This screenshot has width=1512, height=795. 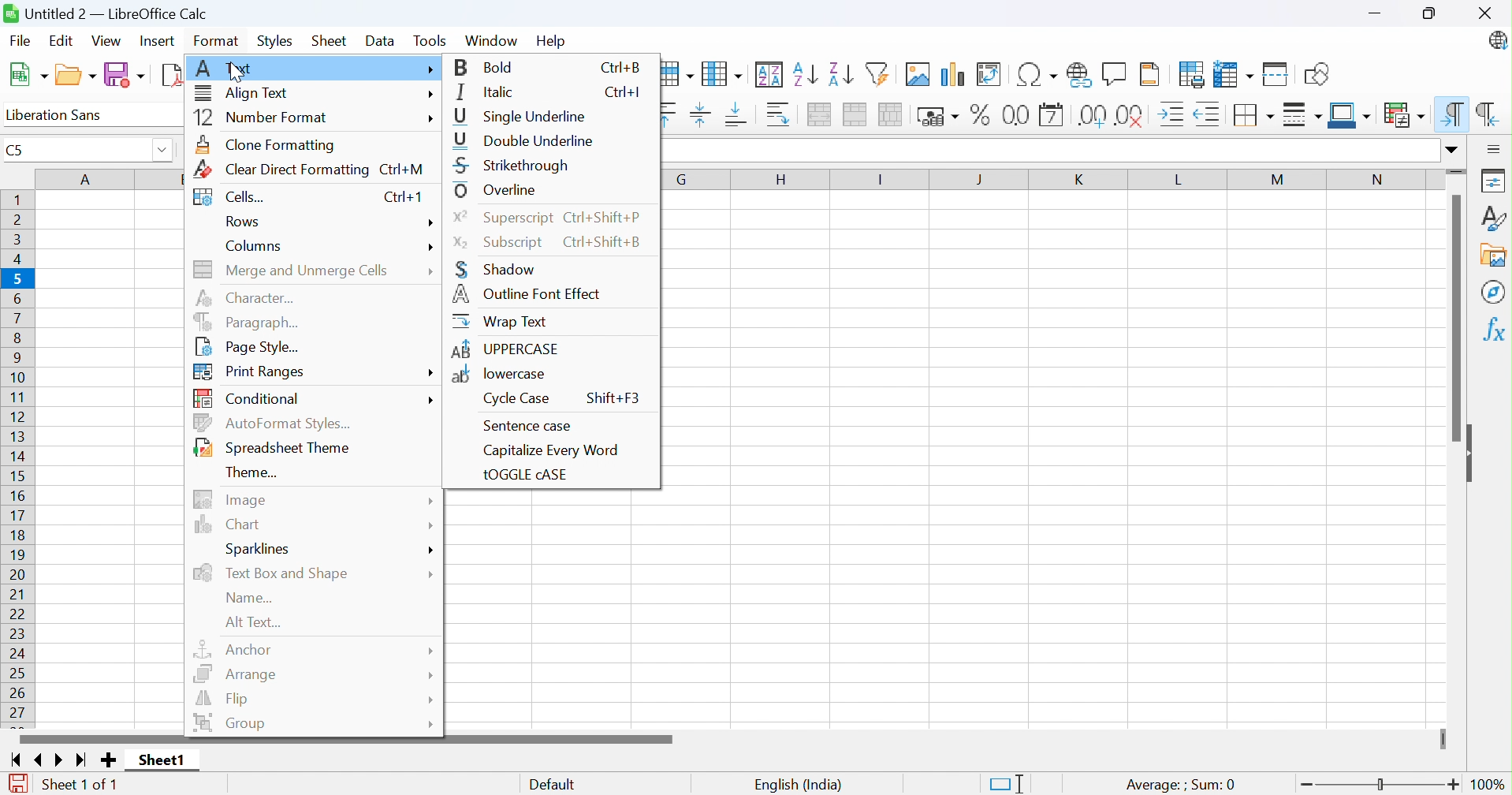 What do you see at coordinates (1115, 73) in the screenshot?
I see `Insert comment` at bounding box center [1115, 73].